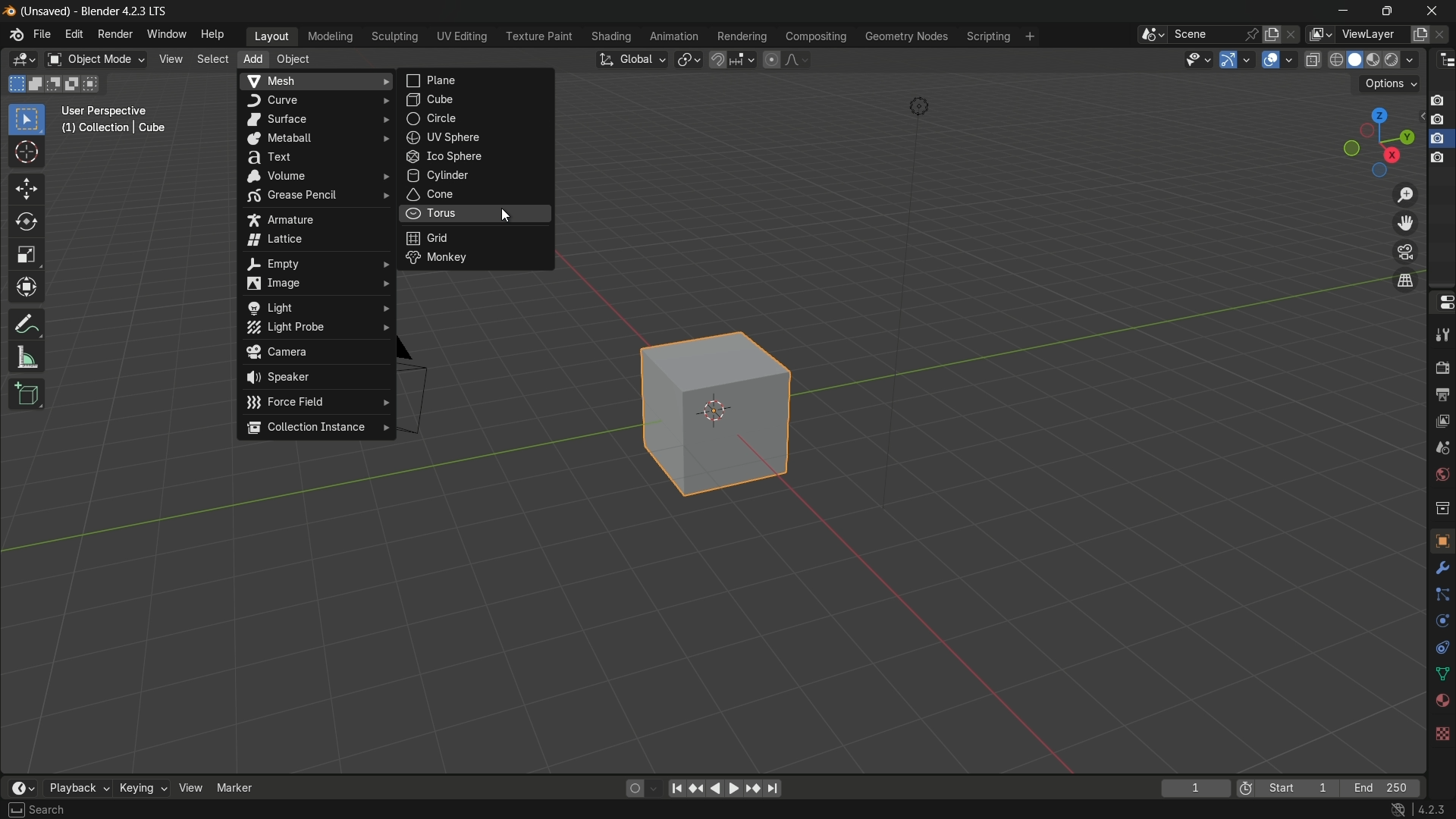 This screenshot has height=819, width=1456. Describe the element at coordinates (1378, 143) in the screenshot. I see `preset viewpoint` at that location.